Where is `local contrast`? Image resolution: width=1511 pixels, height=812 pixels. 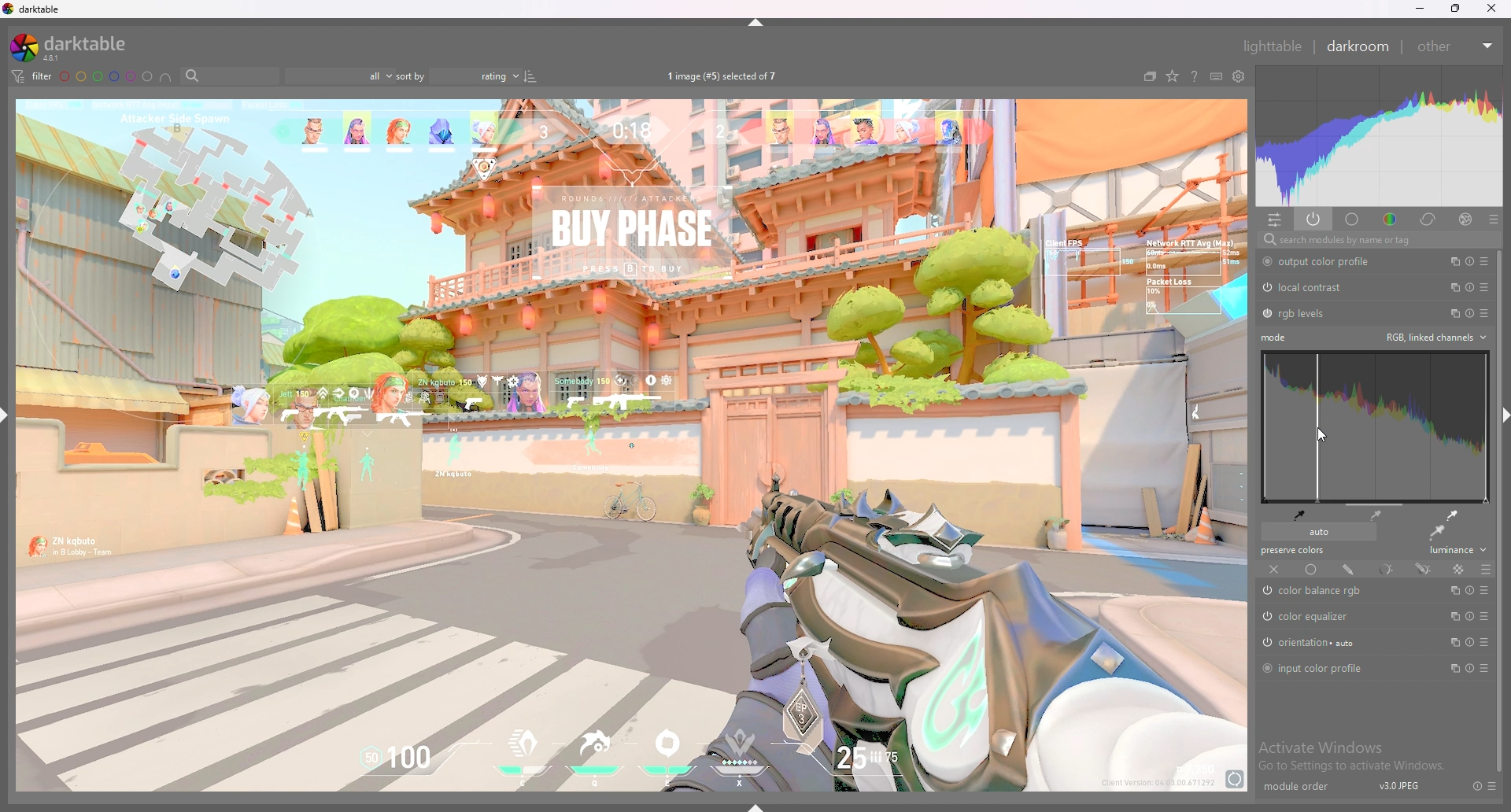
local contrast is located at coordinates (1315, 287).